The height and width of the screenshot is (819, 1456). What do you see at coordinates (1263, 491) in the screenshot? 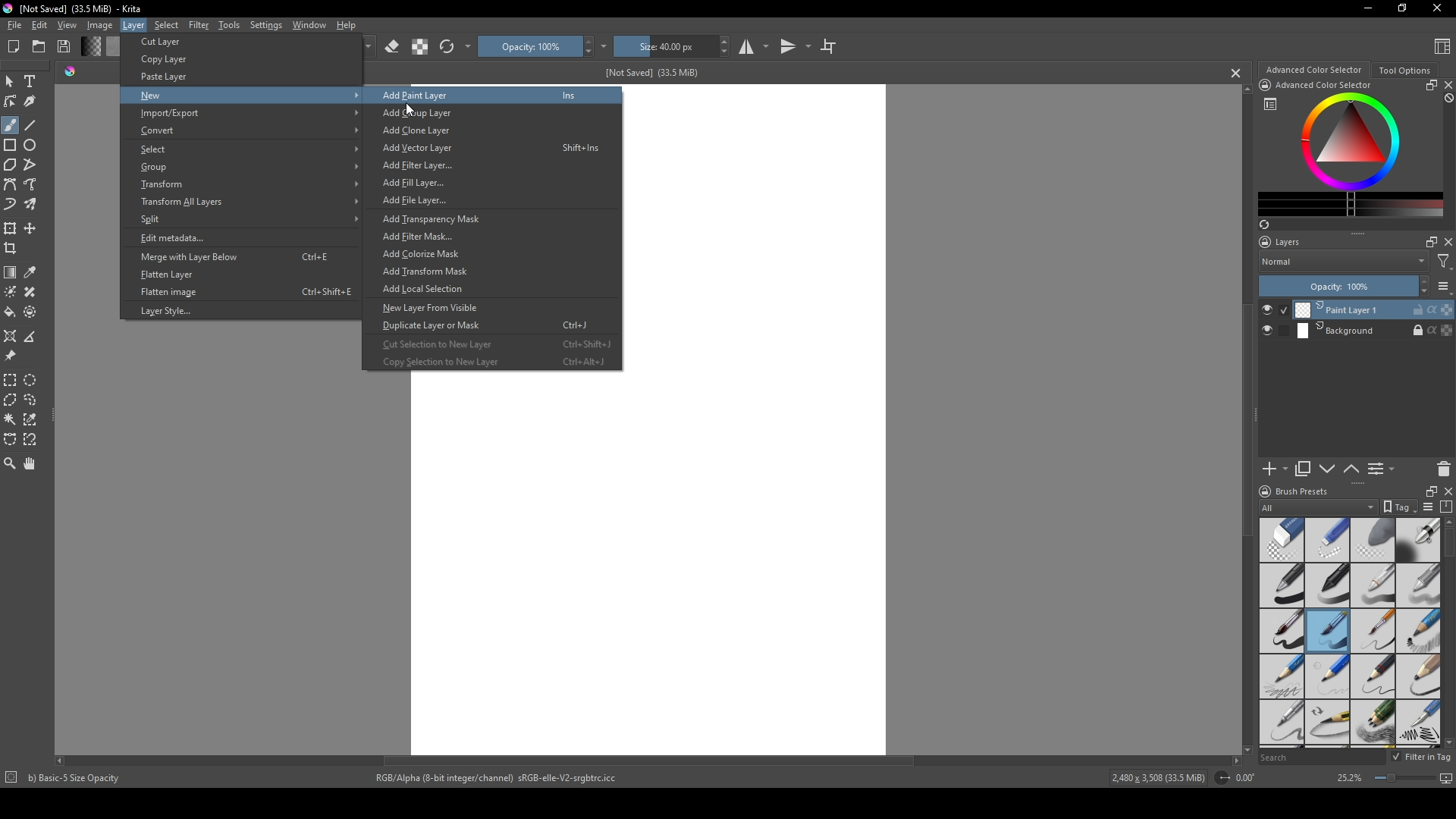
I see `logo` at bounding box center [1263, 491].